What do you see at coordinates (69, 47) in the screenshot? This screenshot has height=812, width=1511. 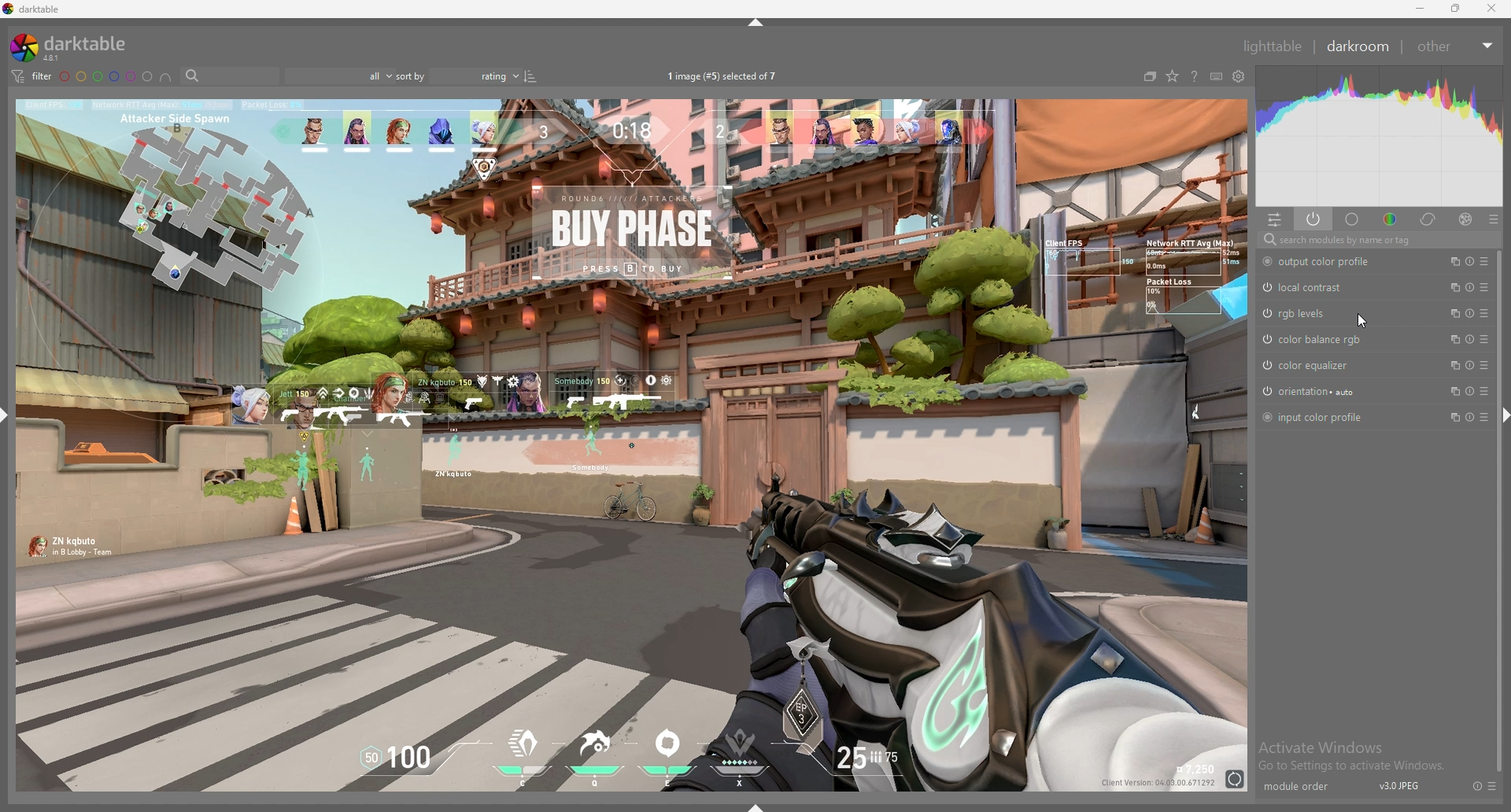 I see `darktable` at bounding box center [69, 47].